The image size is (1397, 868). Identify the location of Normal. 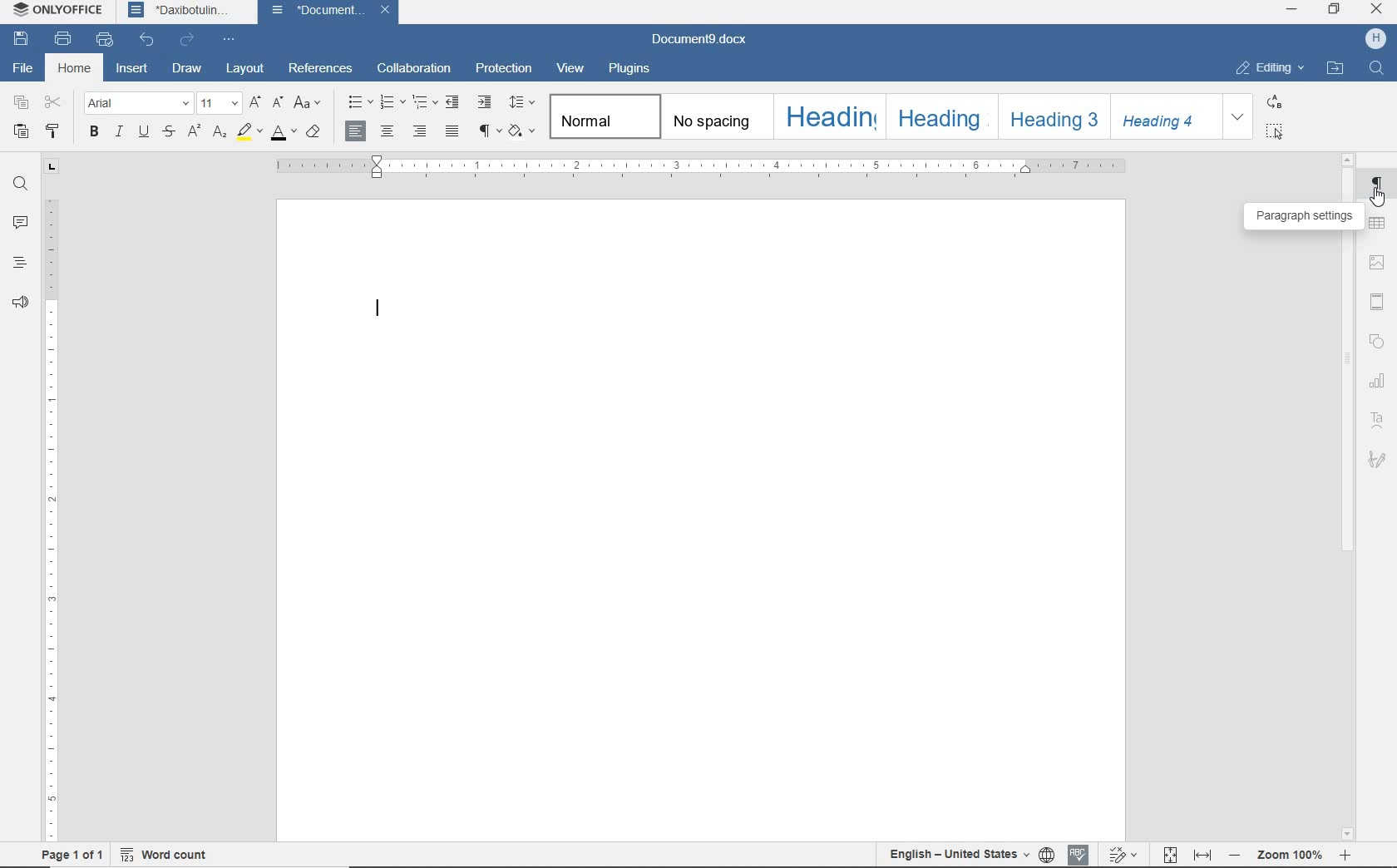
(603, 117).